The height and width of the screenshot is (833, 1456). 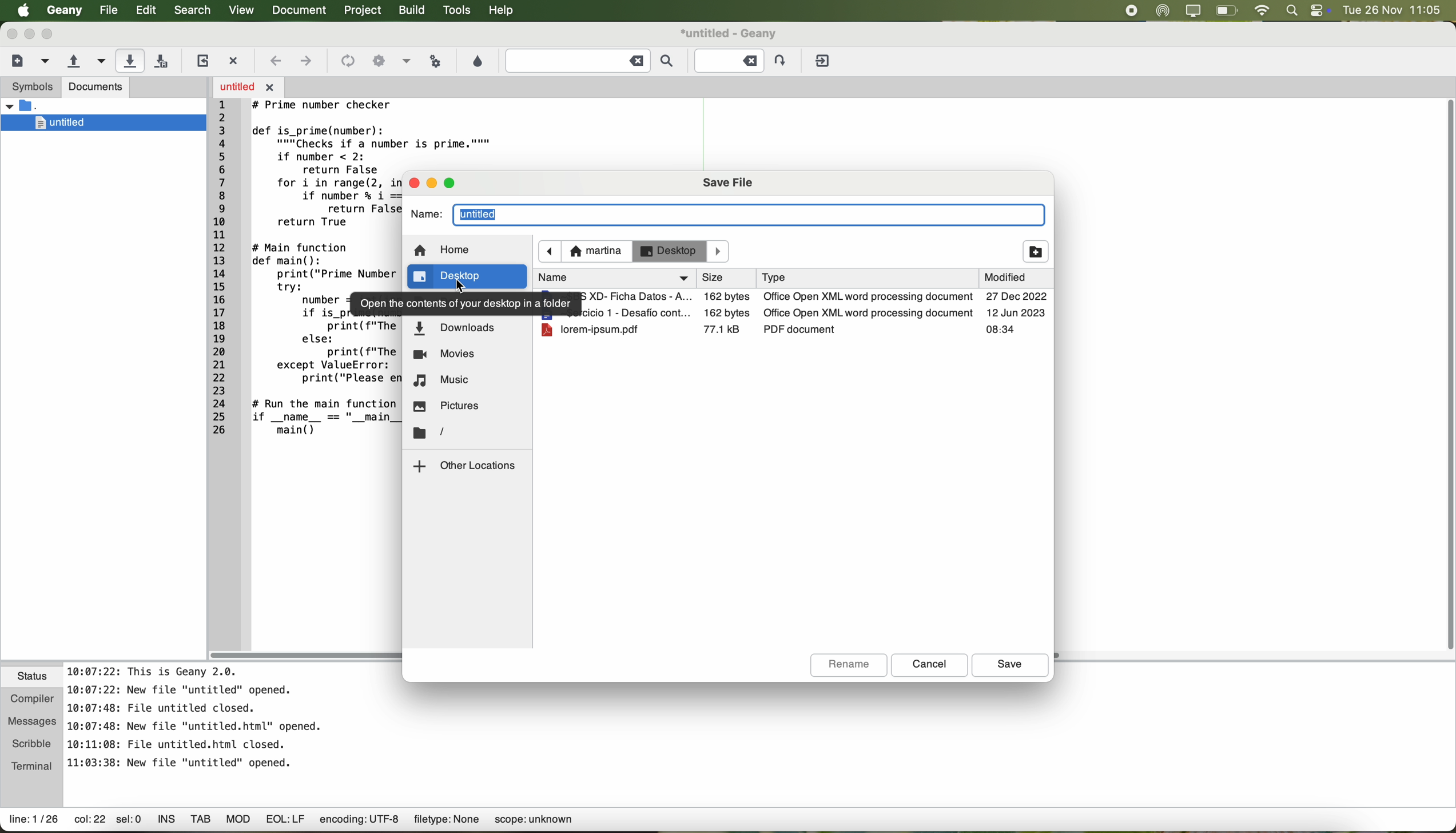 I want to click on wifi, so click(x=1263, y=10).